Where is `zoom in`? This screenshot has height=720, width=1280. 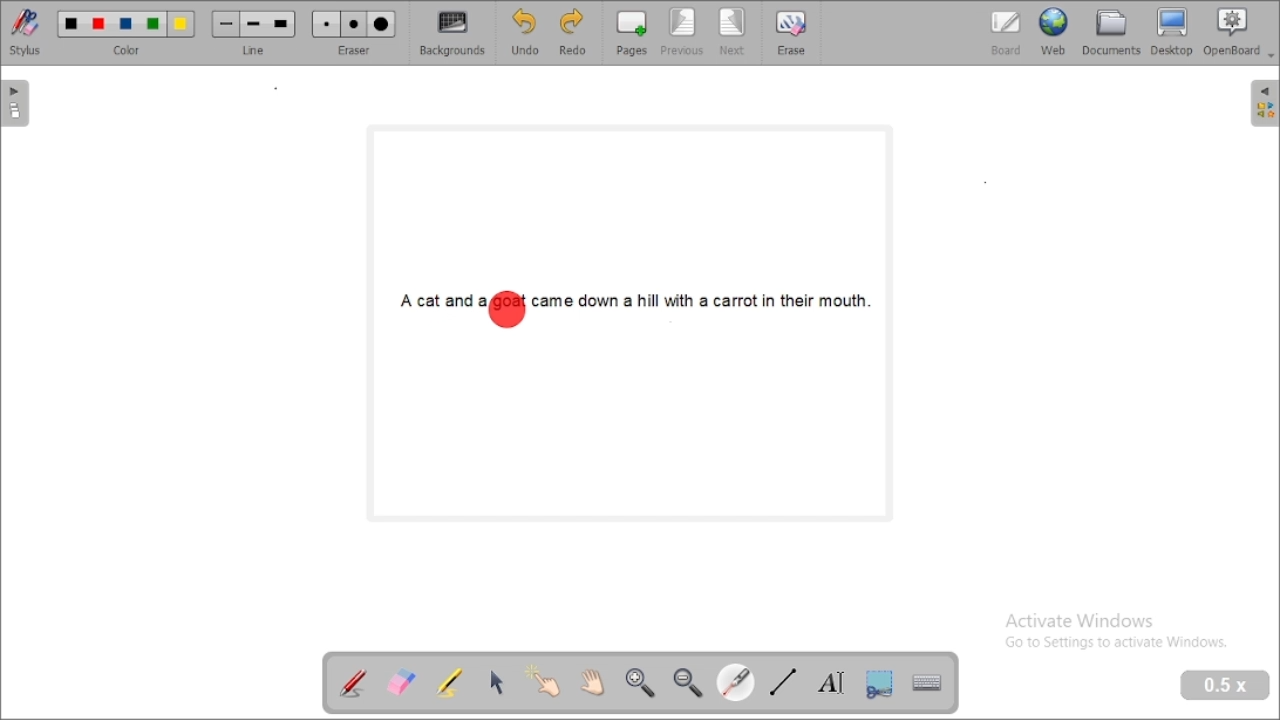
zoom in is located at coordinates (641, 684).